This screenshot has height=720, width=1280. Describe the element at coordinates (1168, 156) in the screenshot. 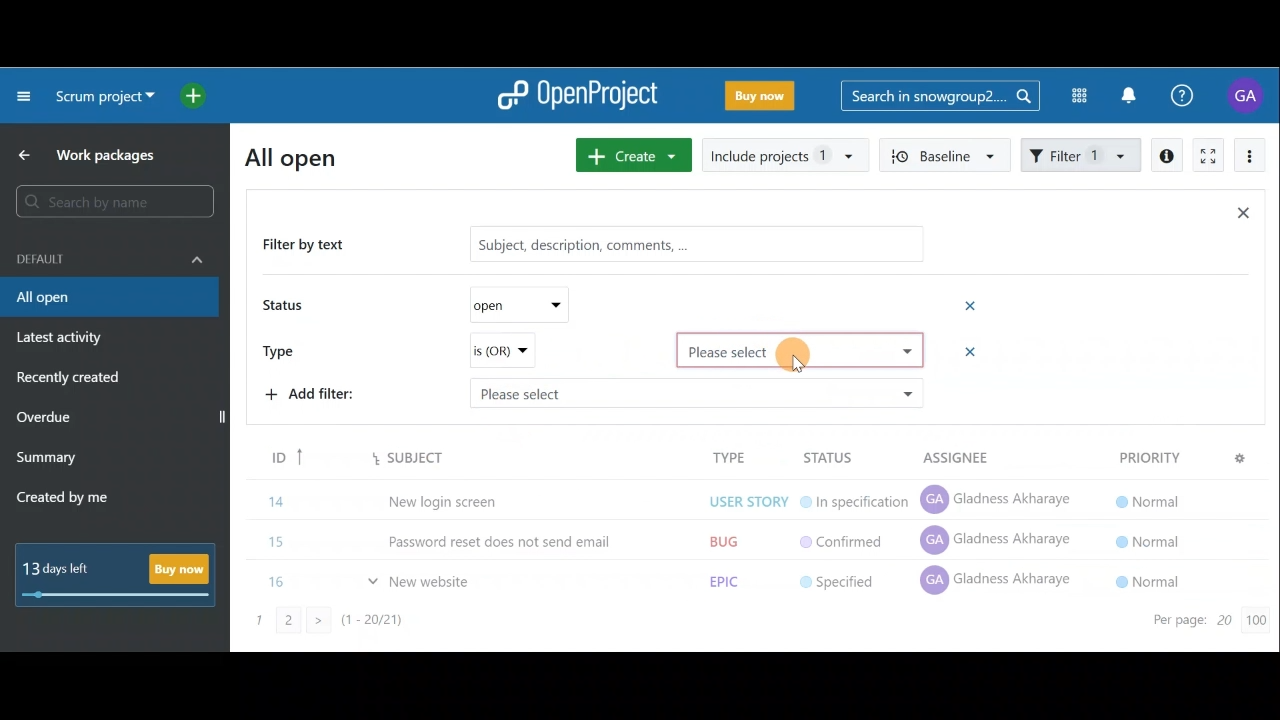

I see `Open details view` at that location.